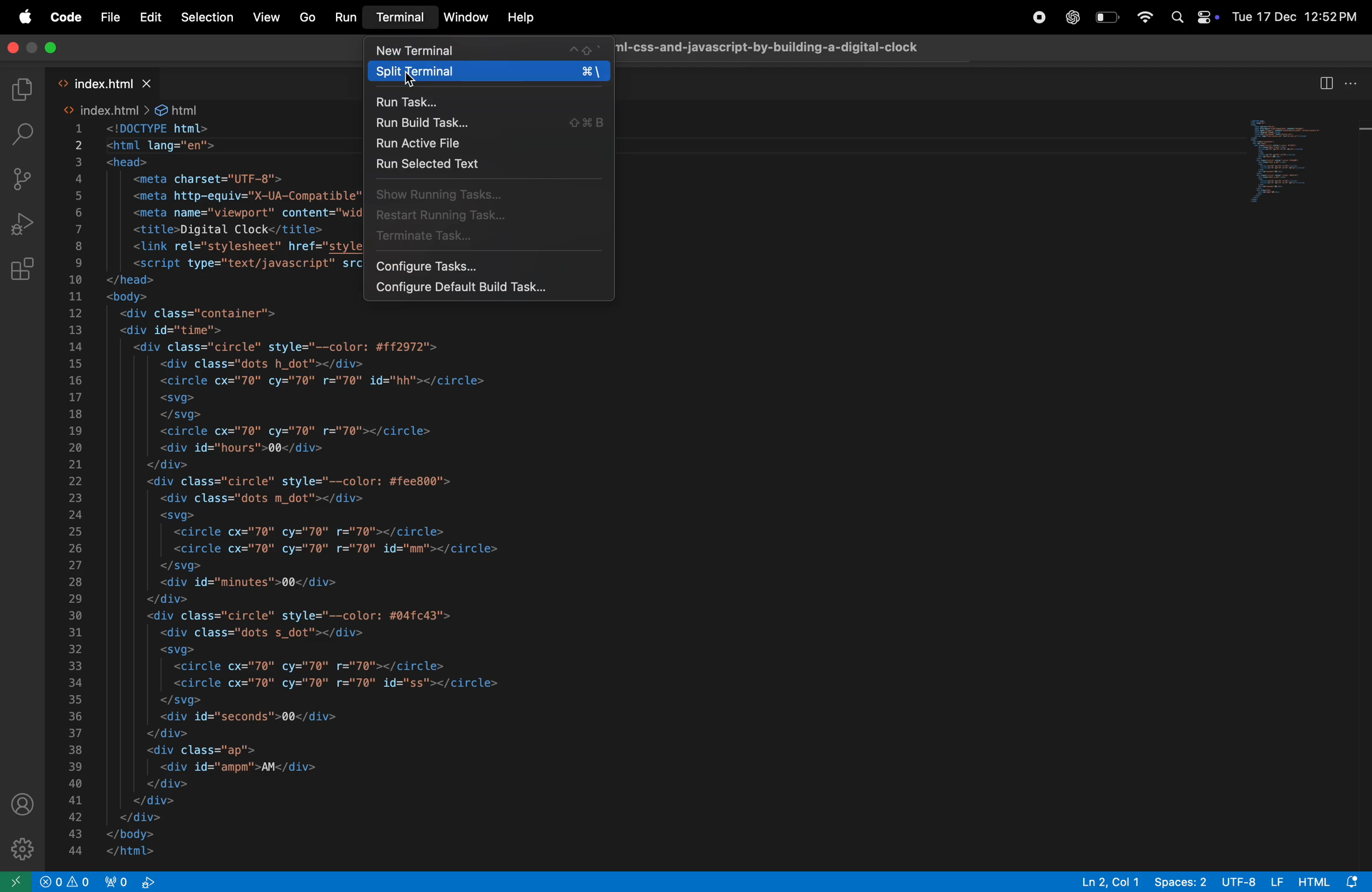 This screenshot has width=1372, height=892. What do you see at coordinates (110, 84) in the screenshot?
I see `index.html` at bounding box center [110, 84].